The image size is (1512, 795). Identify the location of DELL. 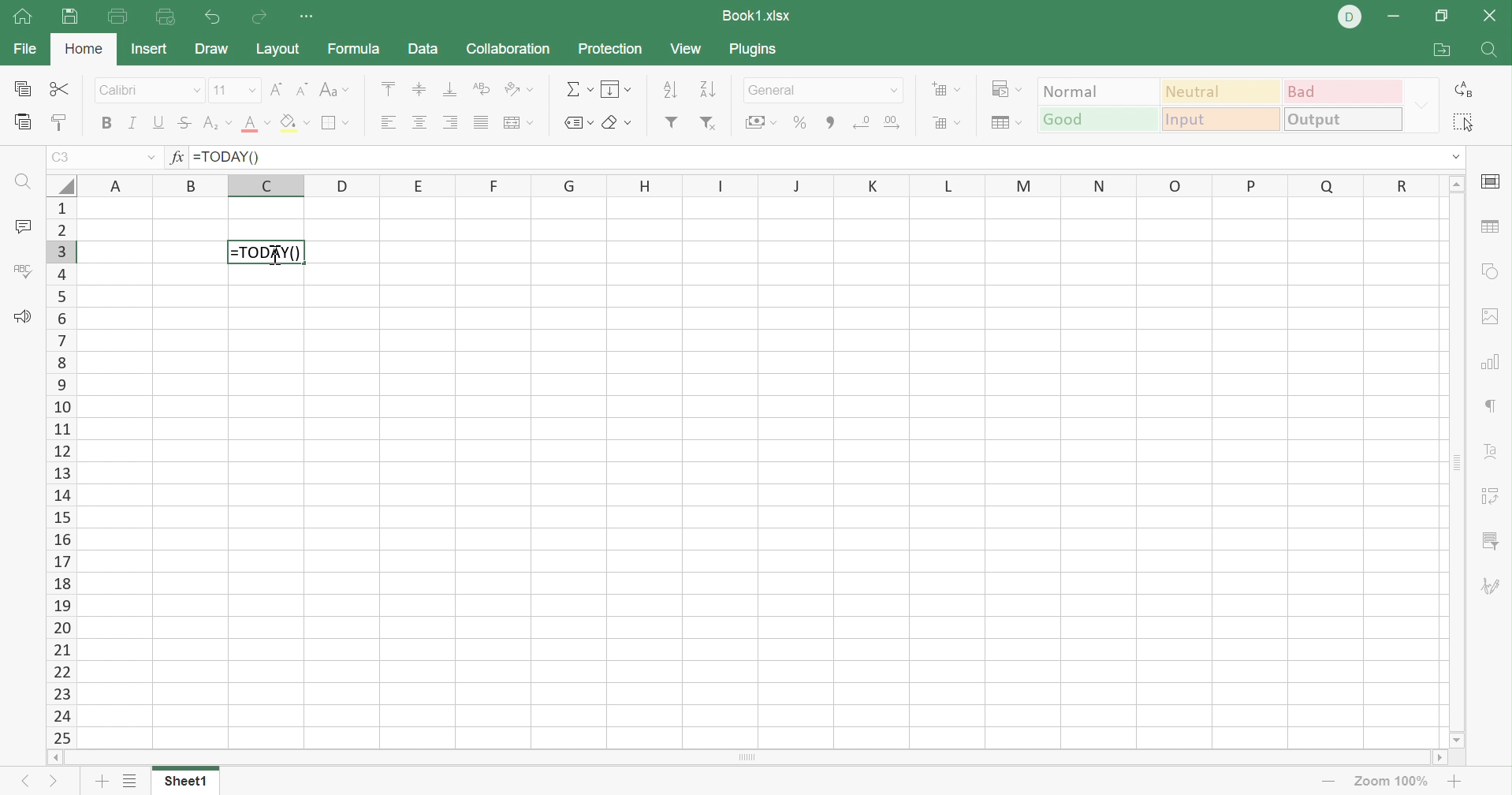
(1348, 17).